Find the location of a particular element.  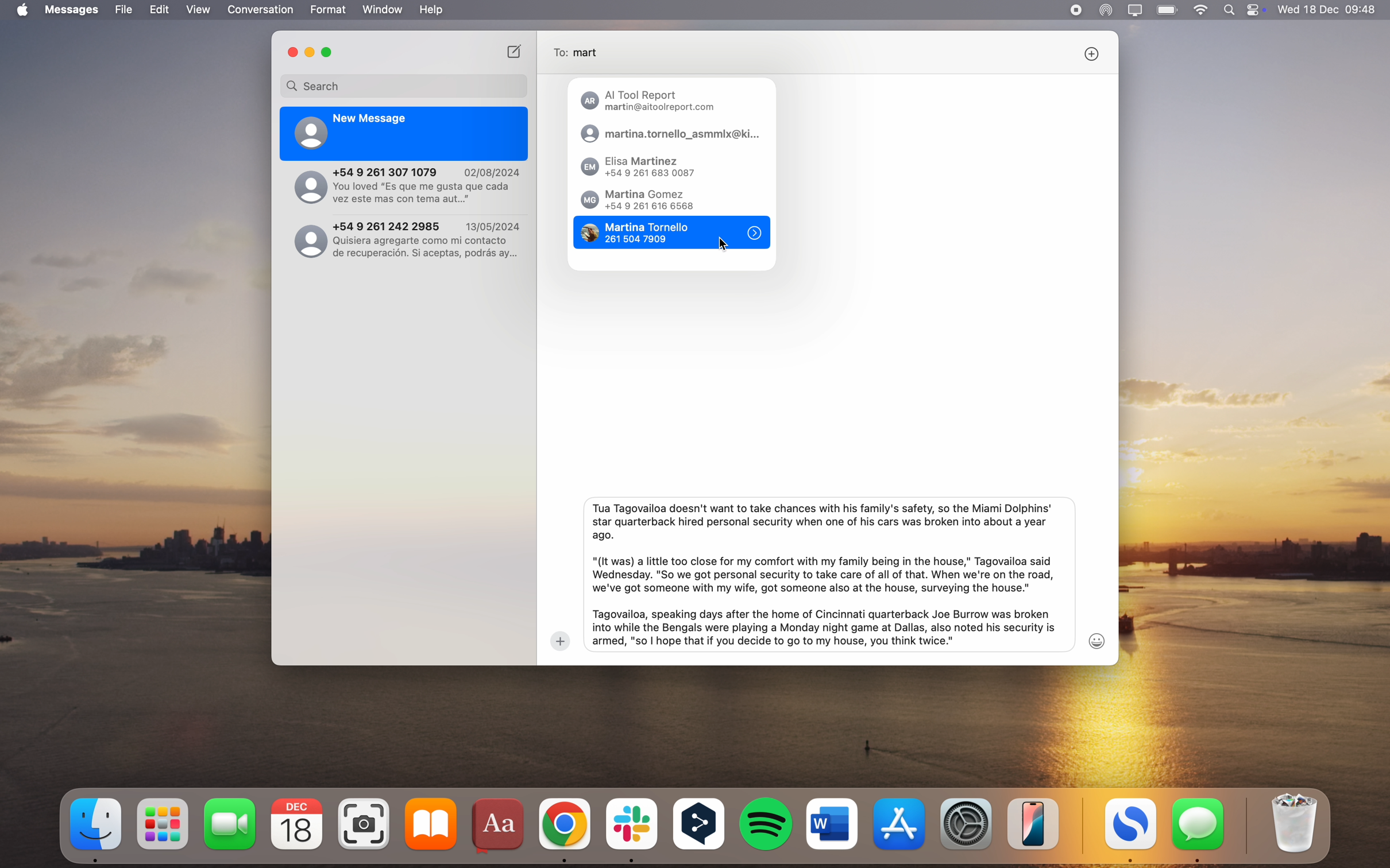

Google Chrome is located at coordinates (565, 828).